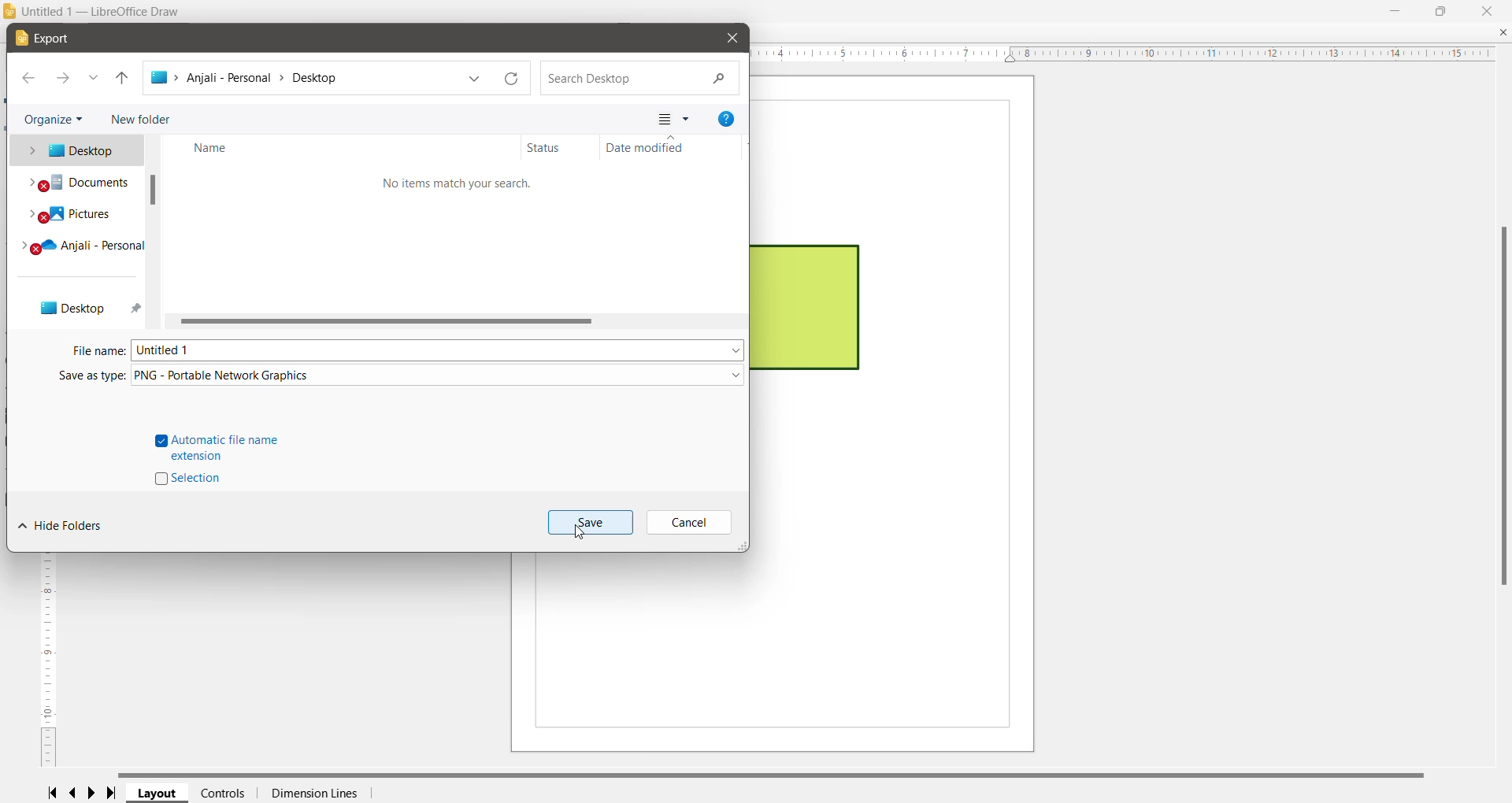 This screenshot has height=803, width=1512. I want to click on Set required file name, so click(438, 349).